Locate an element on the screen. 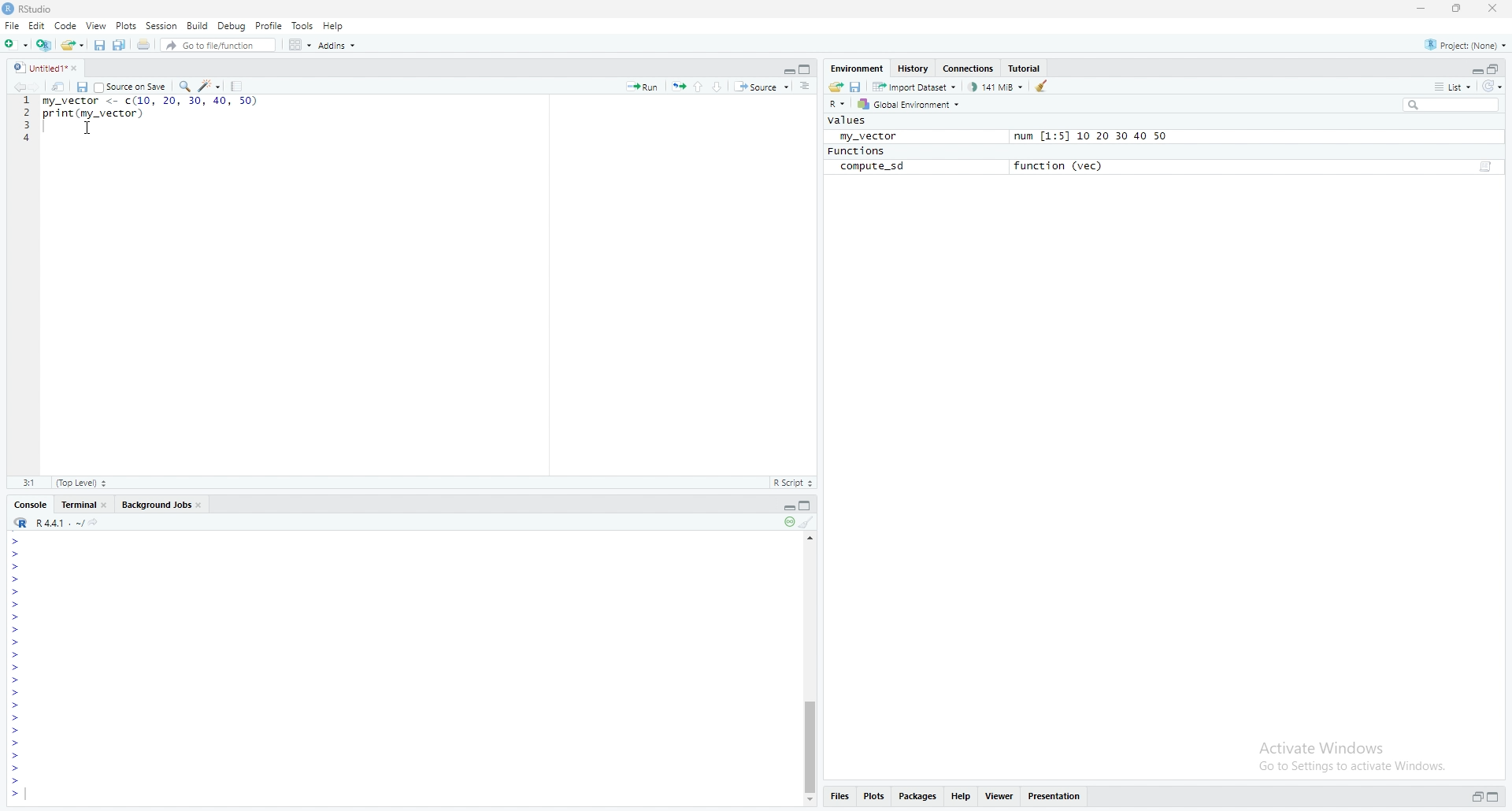  Import Dataset is located at coordinates (915, 86).